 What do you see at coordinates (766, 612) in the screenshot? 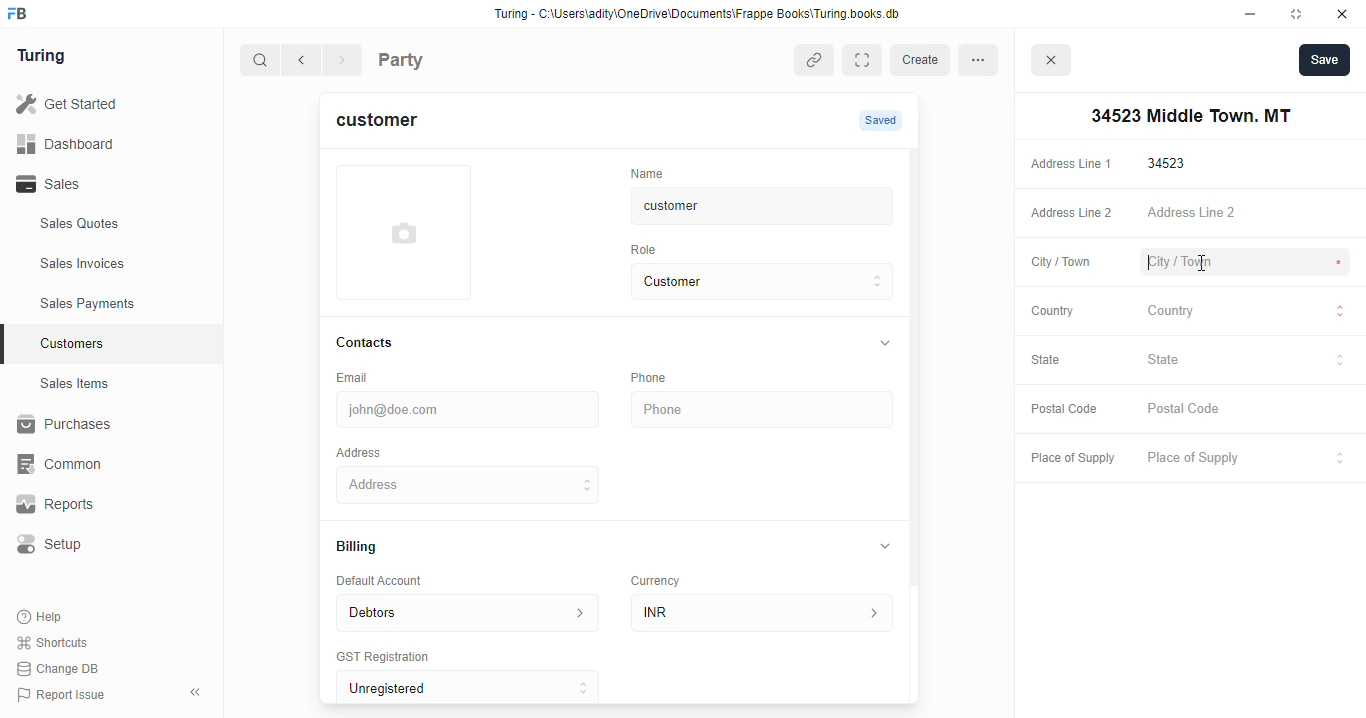
I see `INR` at bounding box center [766, 612].